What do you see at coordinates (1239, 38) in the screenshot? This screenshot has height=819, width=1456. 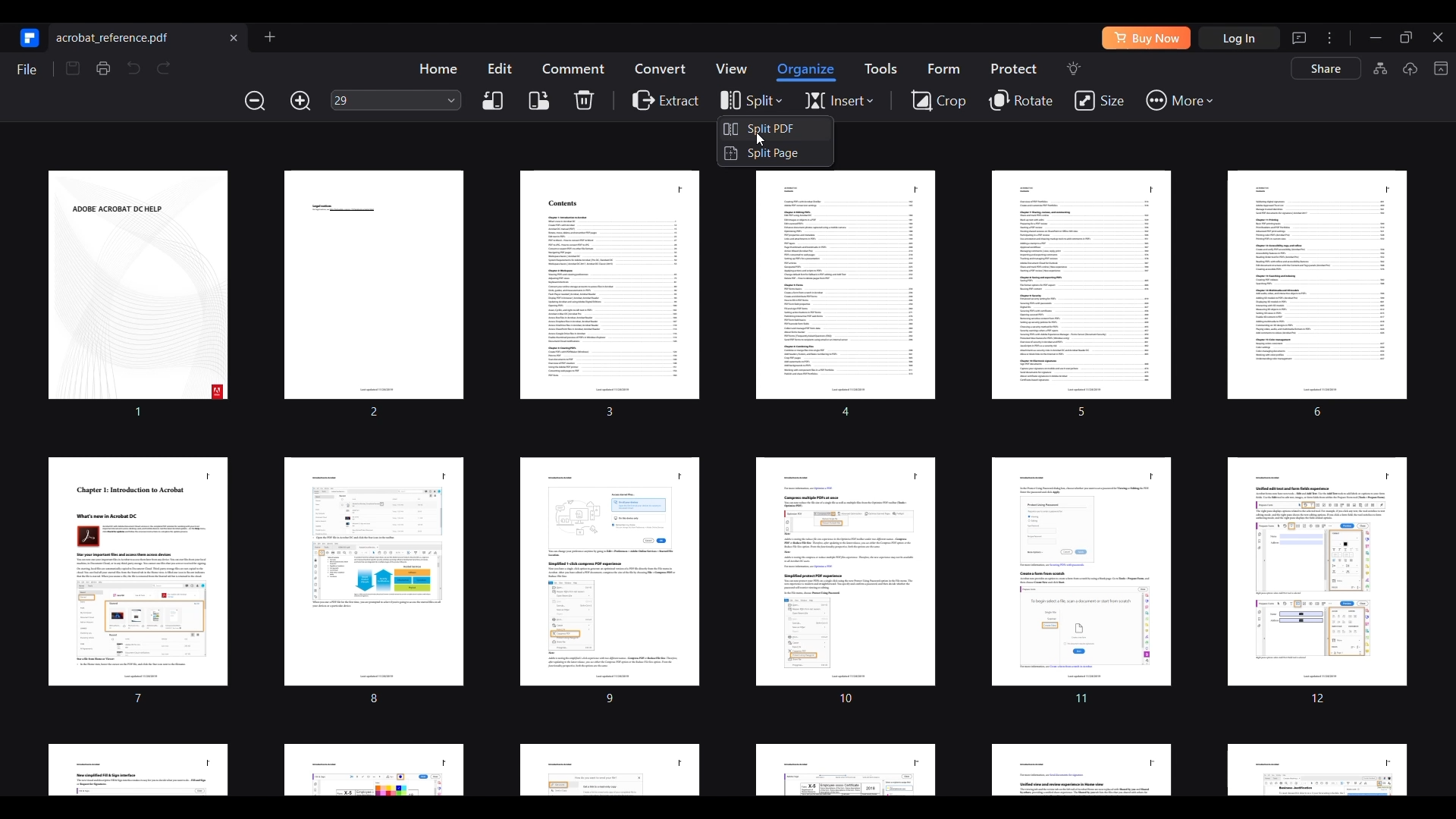 I see `Log in using mail` at bounding box center [1239, 38].